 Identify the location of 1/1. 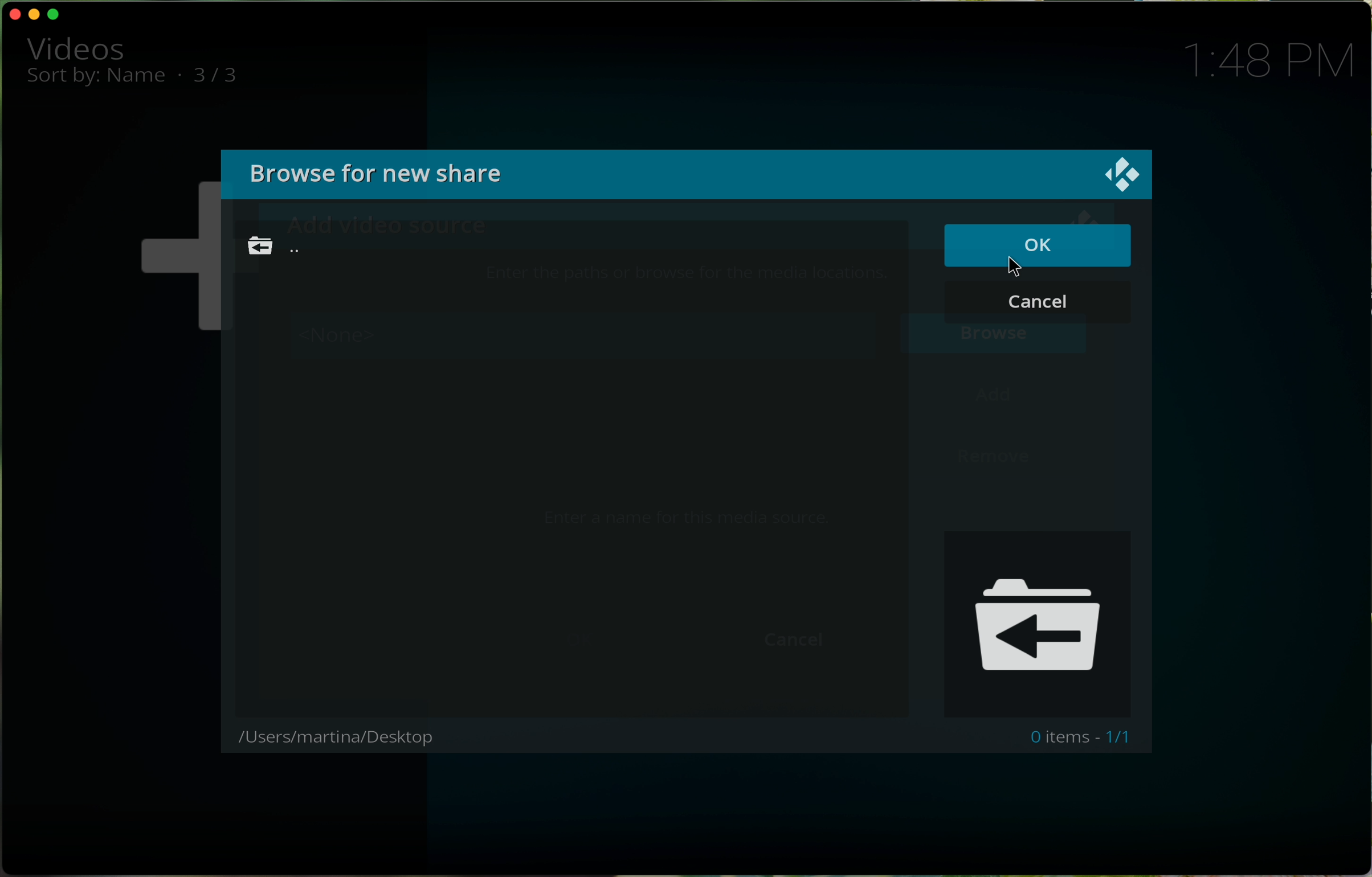
(1121, 737).